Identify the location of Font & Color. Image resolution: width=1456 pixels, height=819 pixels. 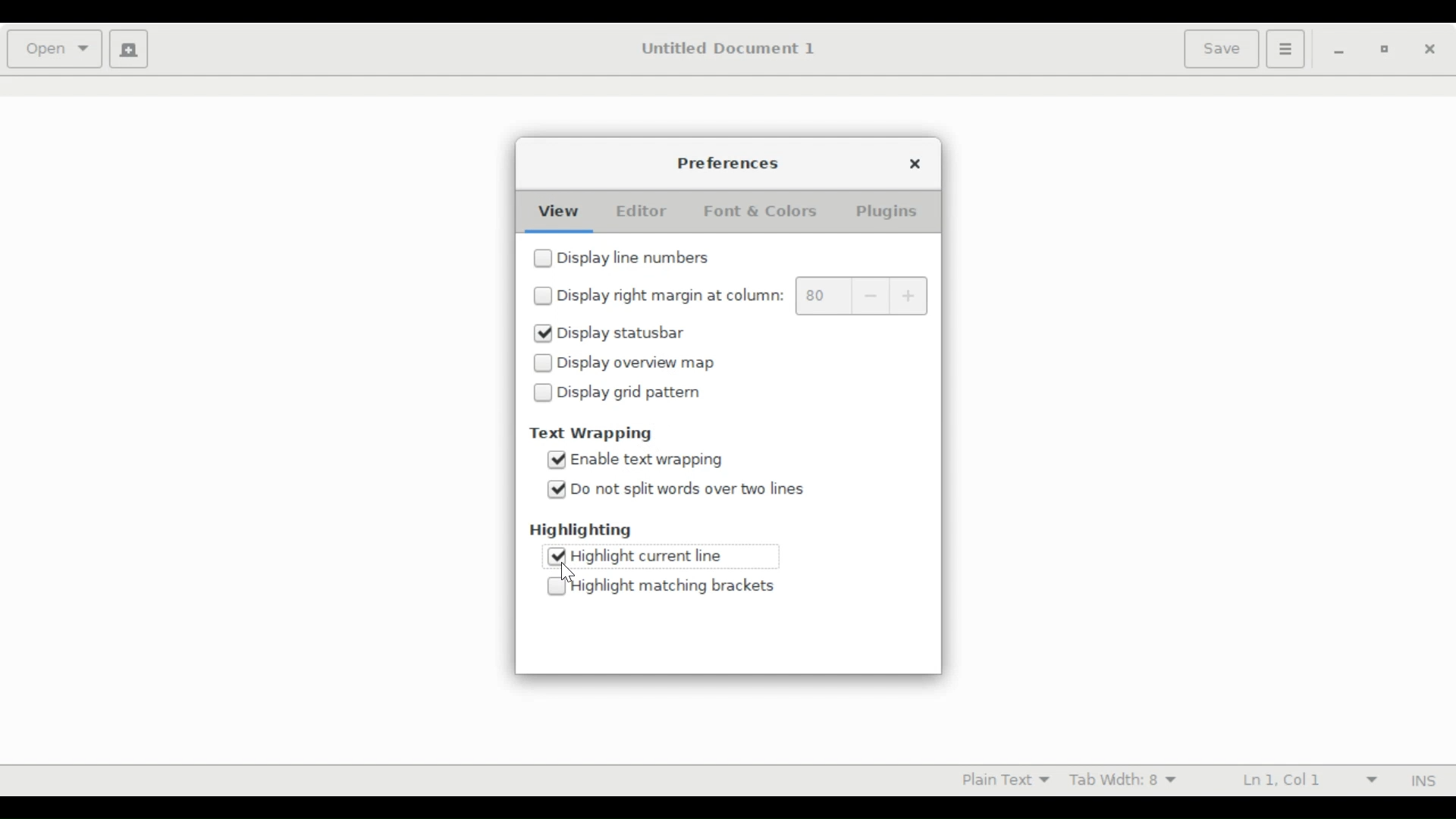
(761, 214).